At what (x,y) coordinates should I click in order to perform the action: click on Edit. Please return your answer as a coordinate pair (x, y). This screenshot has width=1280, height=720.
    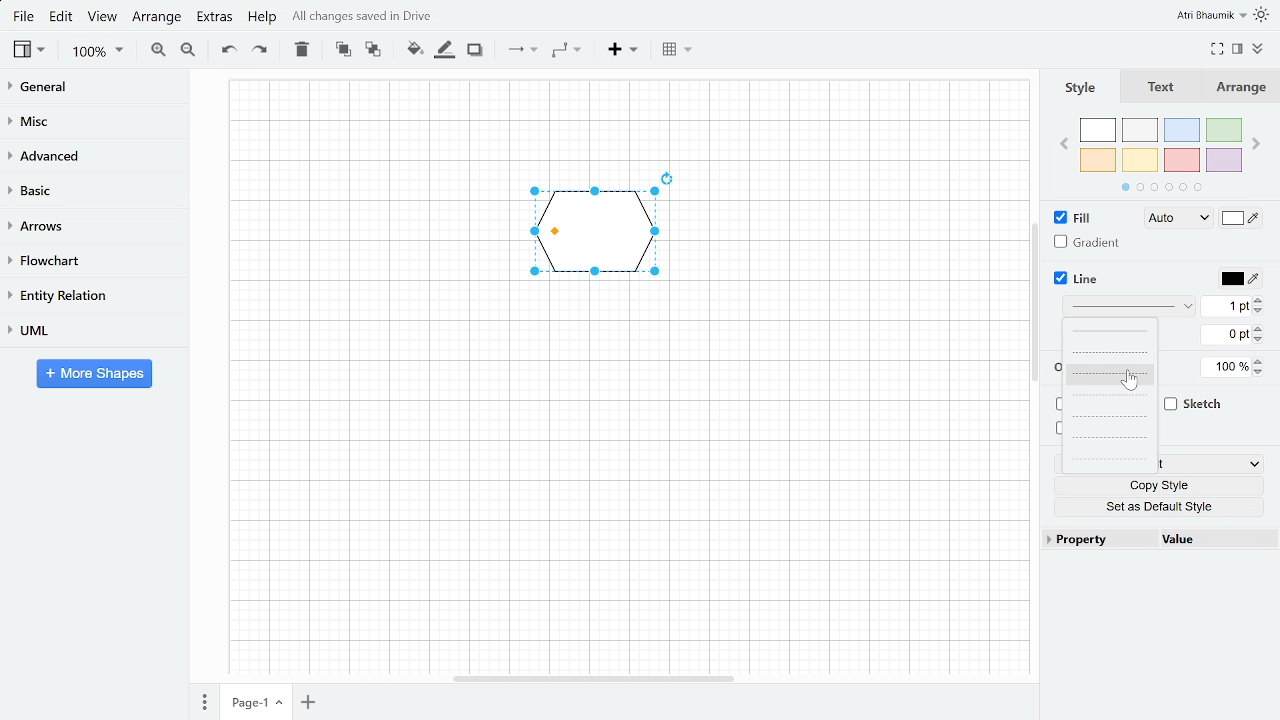
    Looking at the image, I should click on (1211, 464).